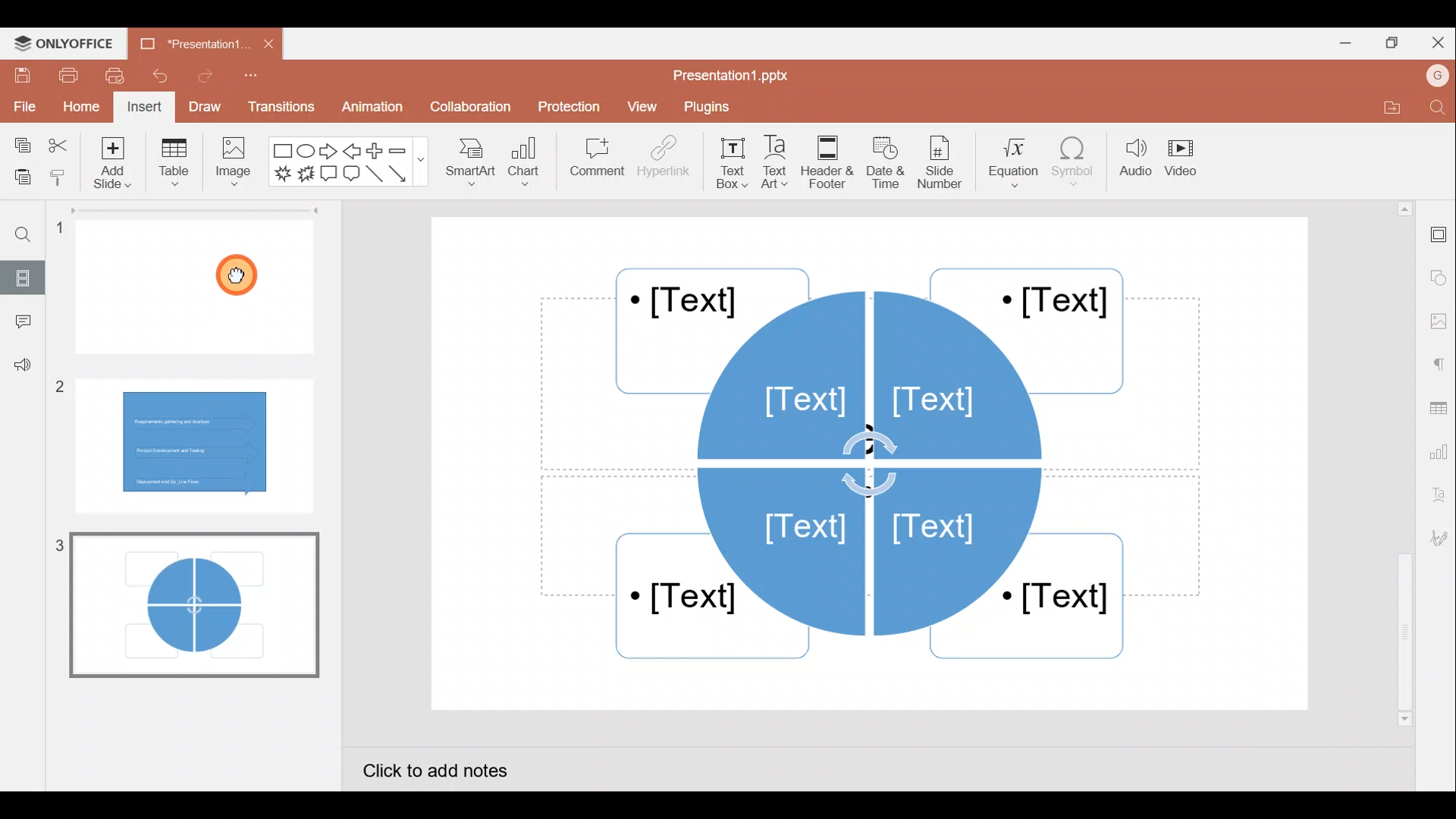 This screenshot has height=819, width=1456. I want to click on View, so click(642, 108).